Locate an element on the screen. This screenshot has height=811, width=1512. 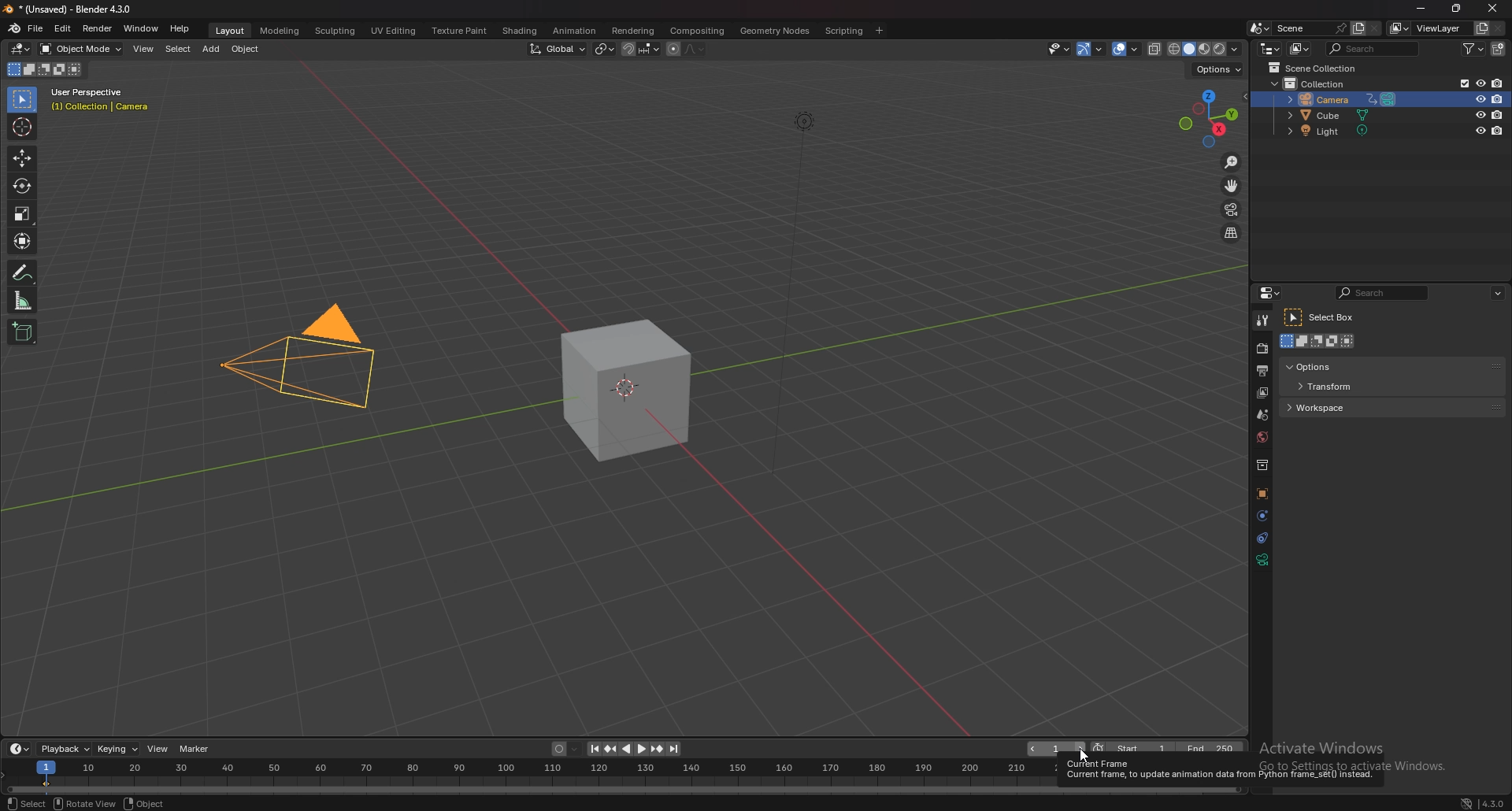
overlays is located at coordinates (1127, 50).